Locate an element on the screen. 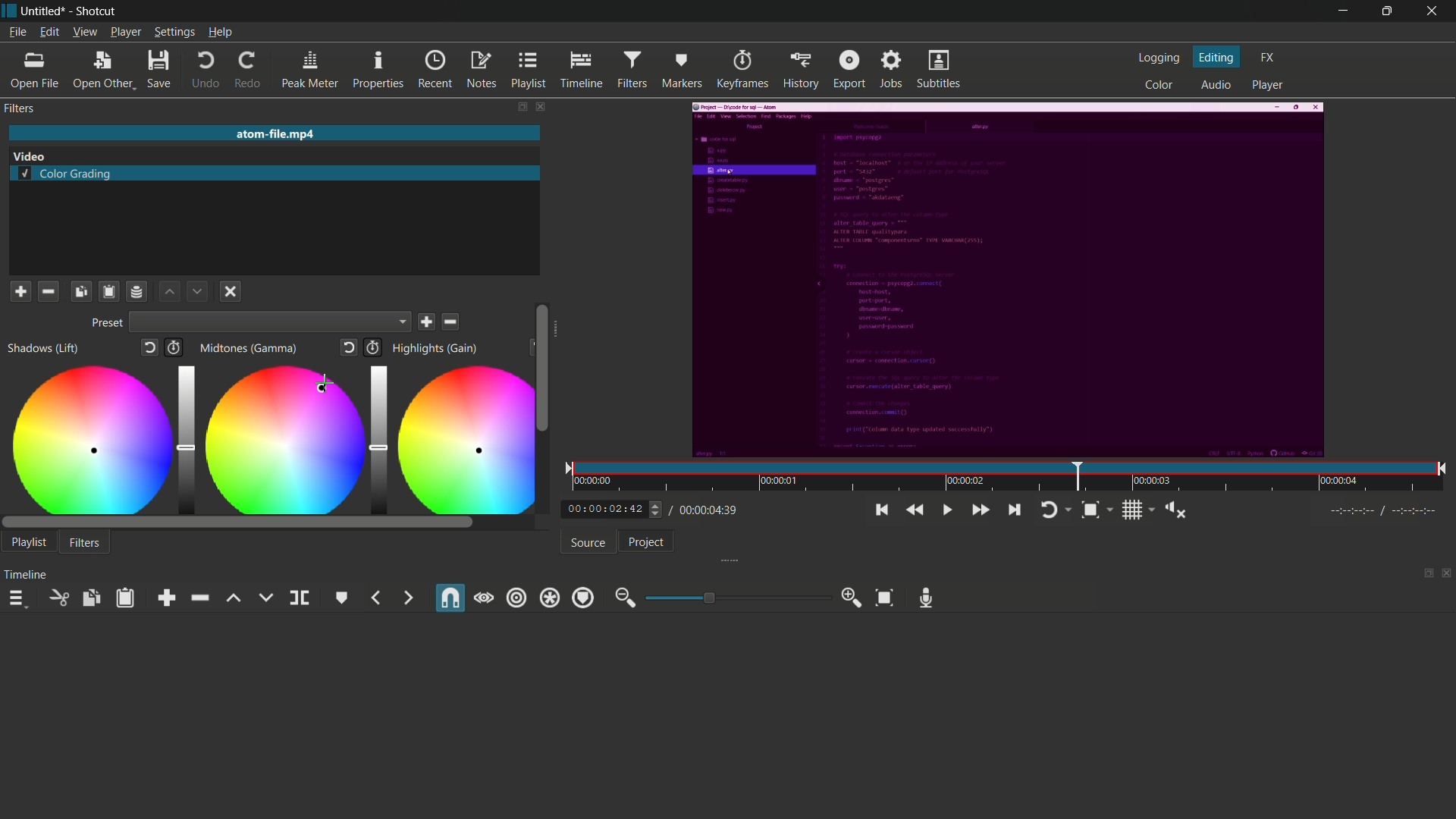  color grading is located at coordinates (66, 175).